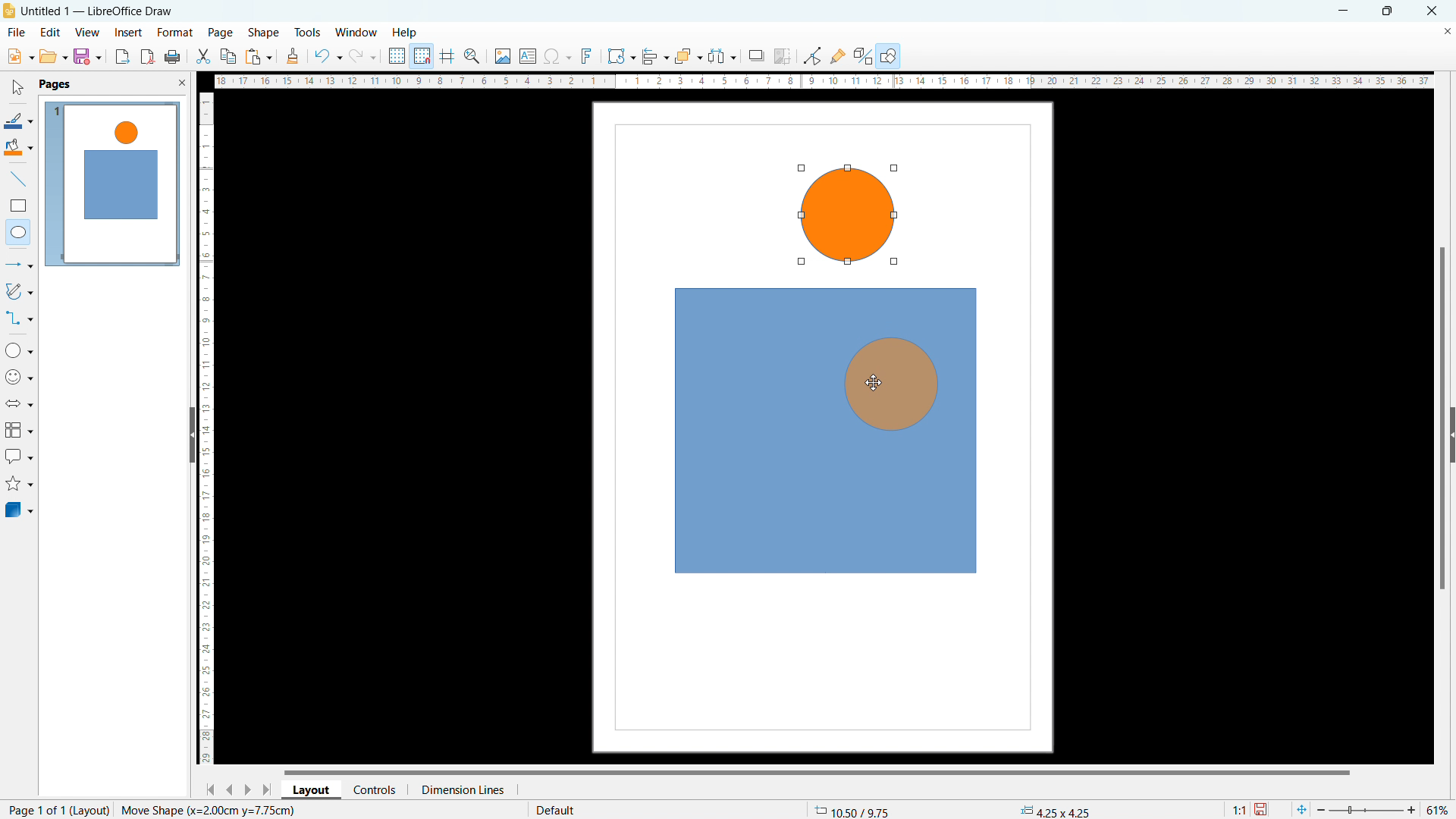 This screenshot has width=1456, height=819. I want to click on insert special character, so click(558, 56).